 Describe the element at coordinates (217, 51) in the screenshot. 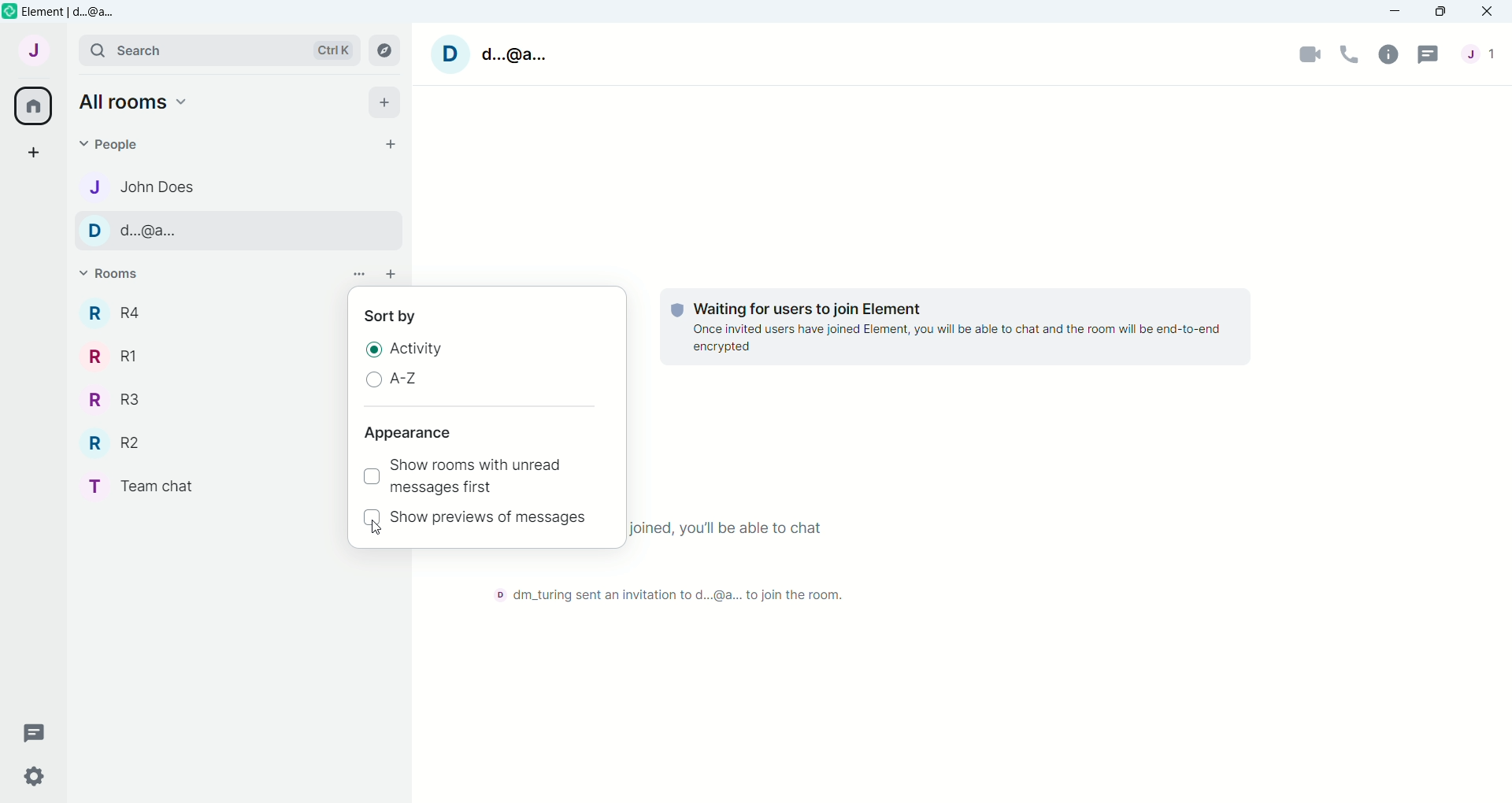

I see `search Ctrl K` at that location.